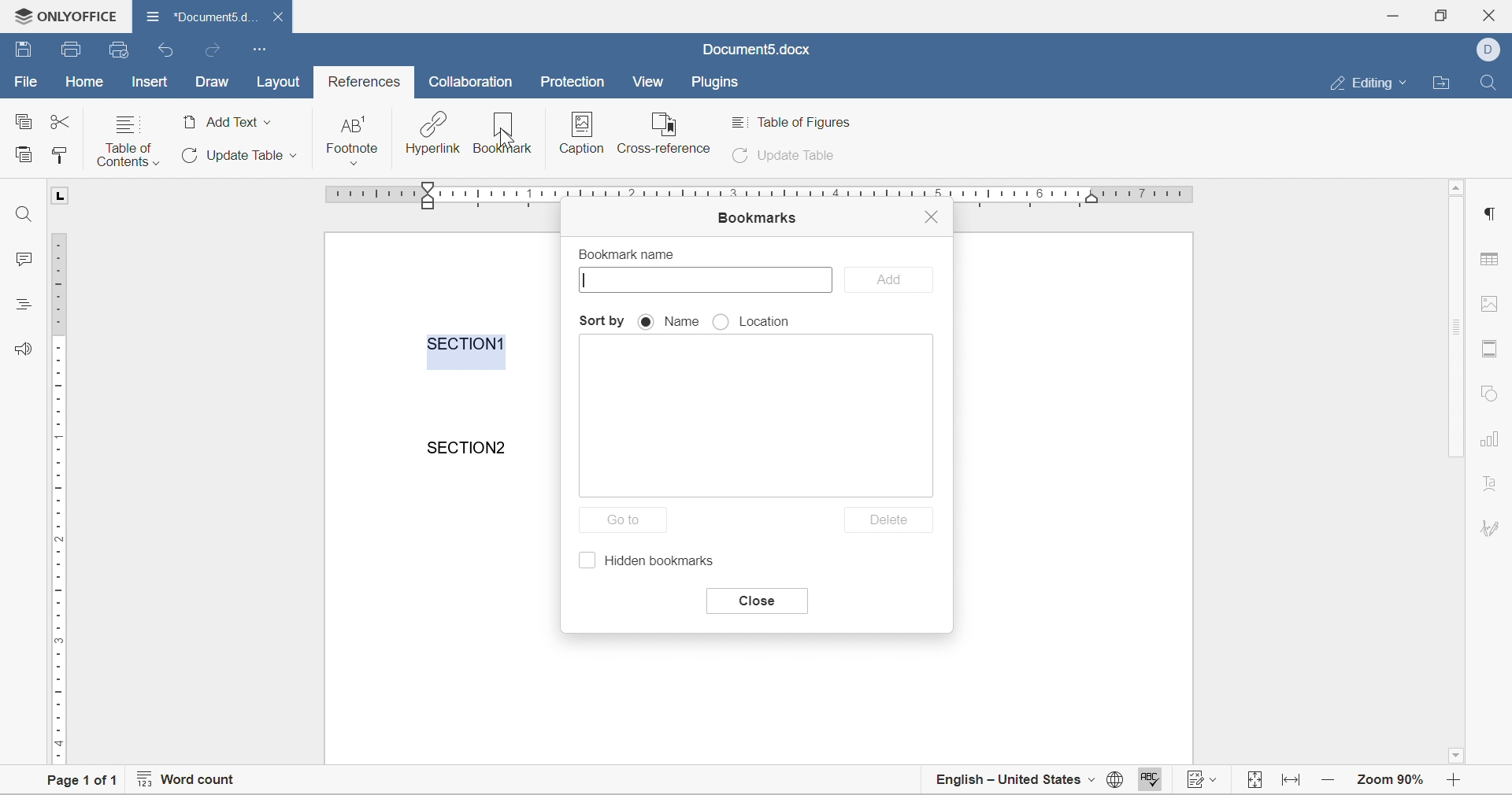 This screenshot has width=1512, height=795. What do you see at coordinates (24, 153) in the screenshot?
I see `paste` at bounding box center [24, 153].